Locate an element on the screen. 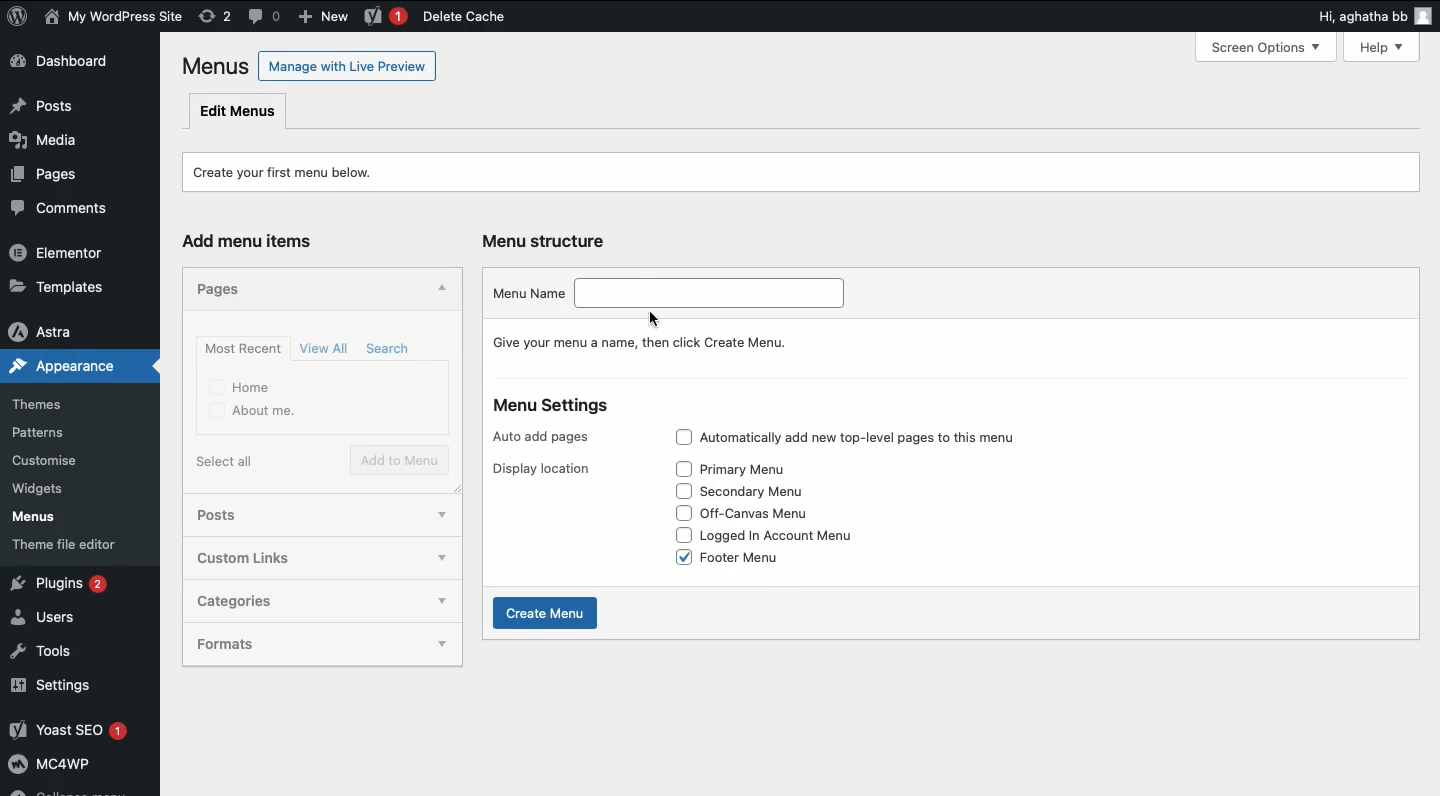 This screenshot has height=796, width=1440. Add to menu is located at coordinates (399, 459).